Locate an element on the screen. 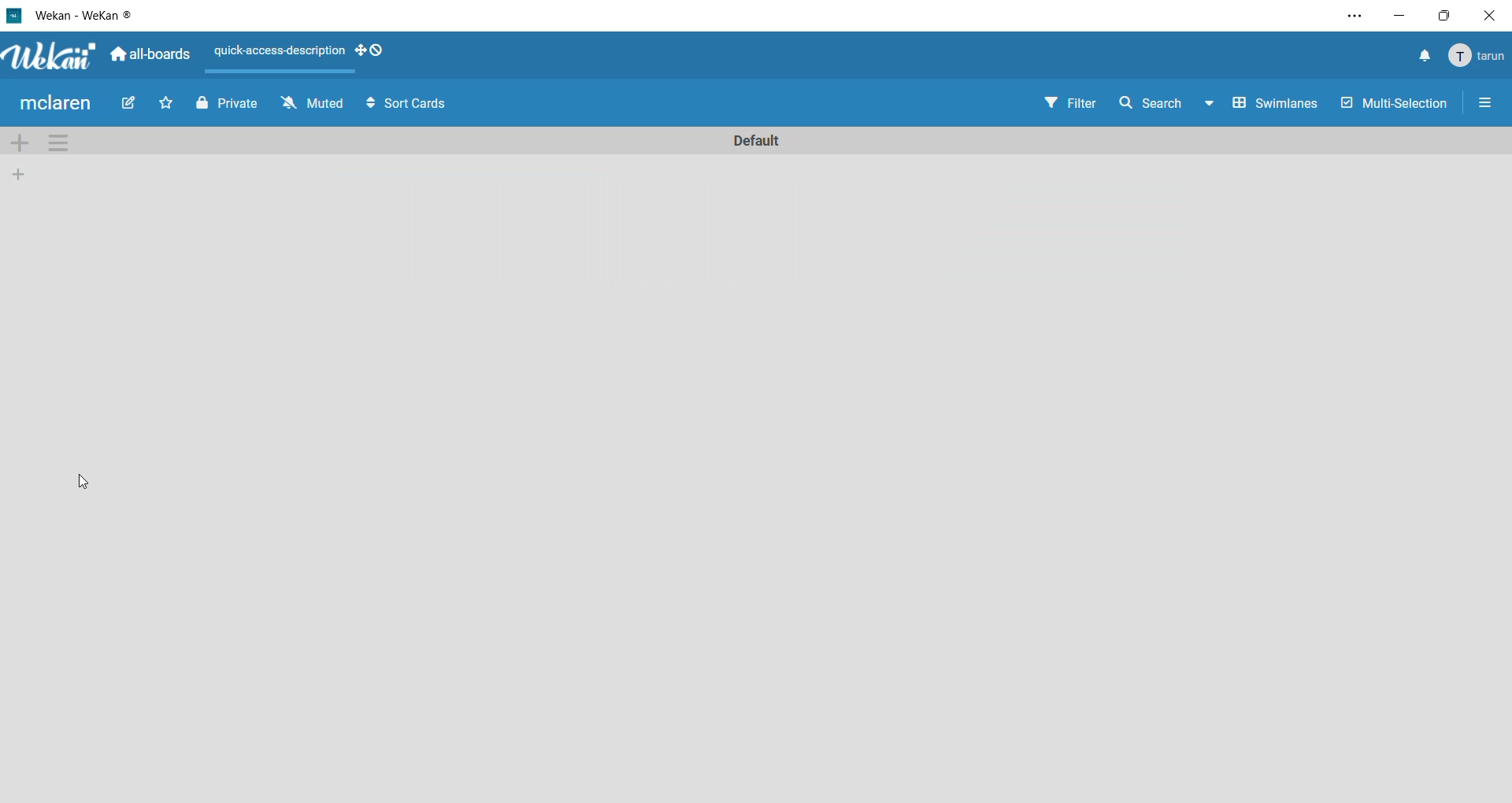 The image size is (1512, 803). quick access description is located at coordinates (278, 54).